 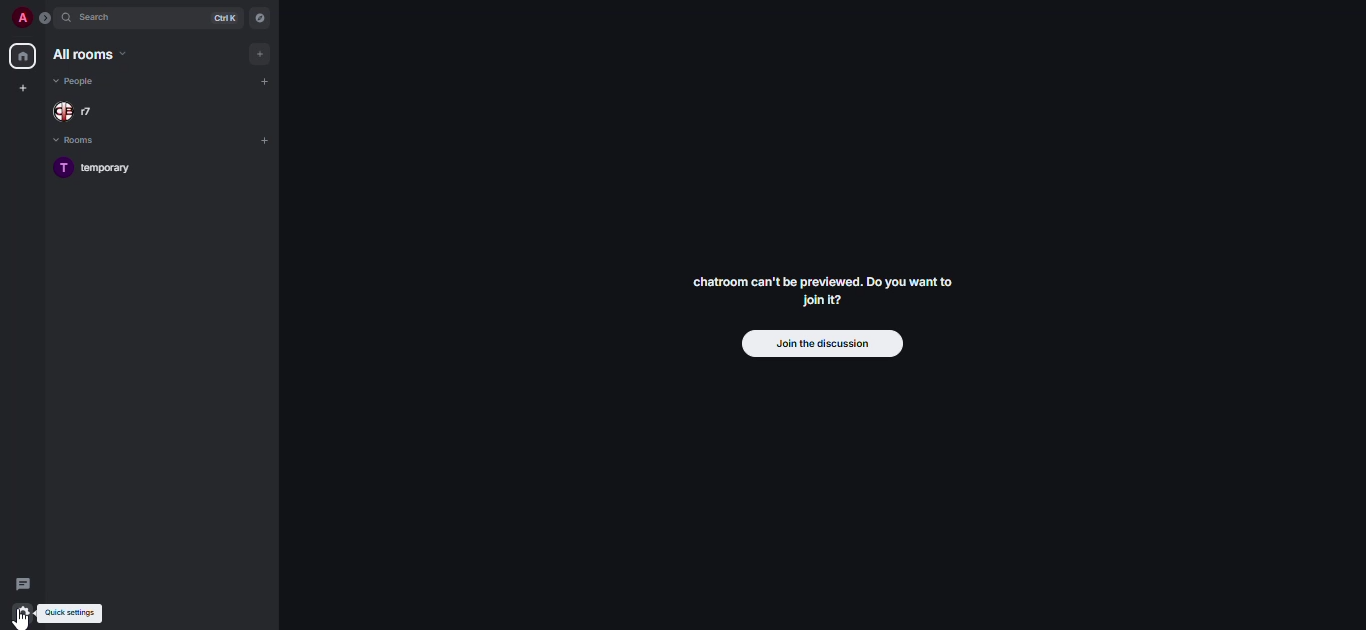 What do you see at coordinates (90, 54) in the screenshot?
I see `all rooms` at bounding box center [90, 54].